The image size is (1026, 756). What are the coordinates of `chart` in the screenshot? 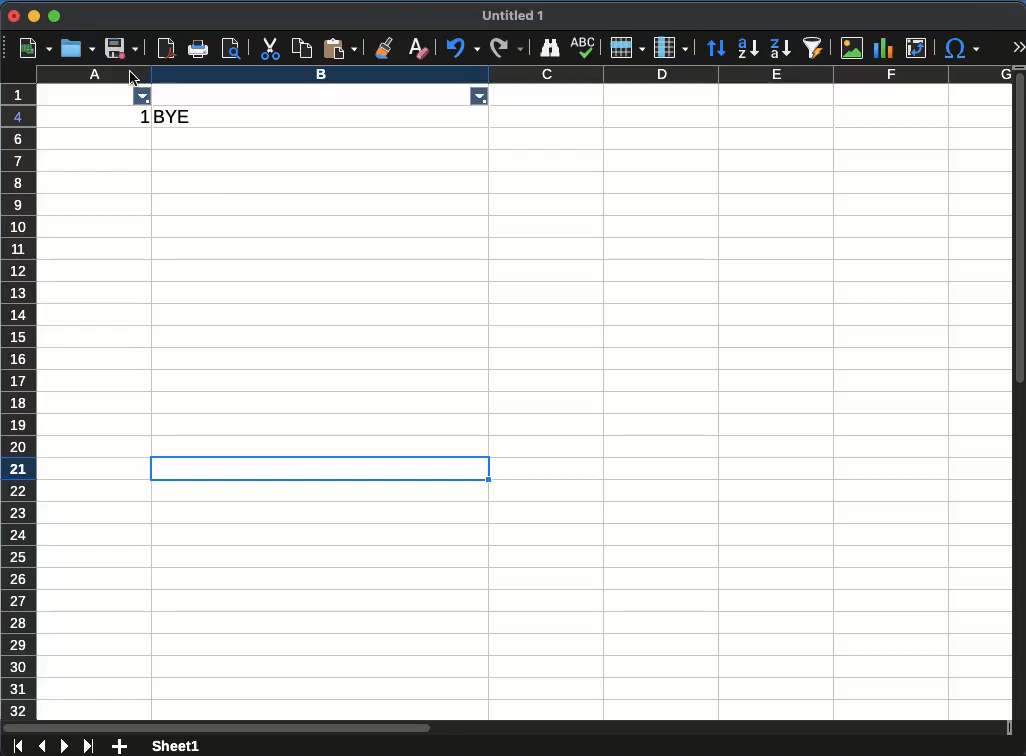 It's located at (881, 49).